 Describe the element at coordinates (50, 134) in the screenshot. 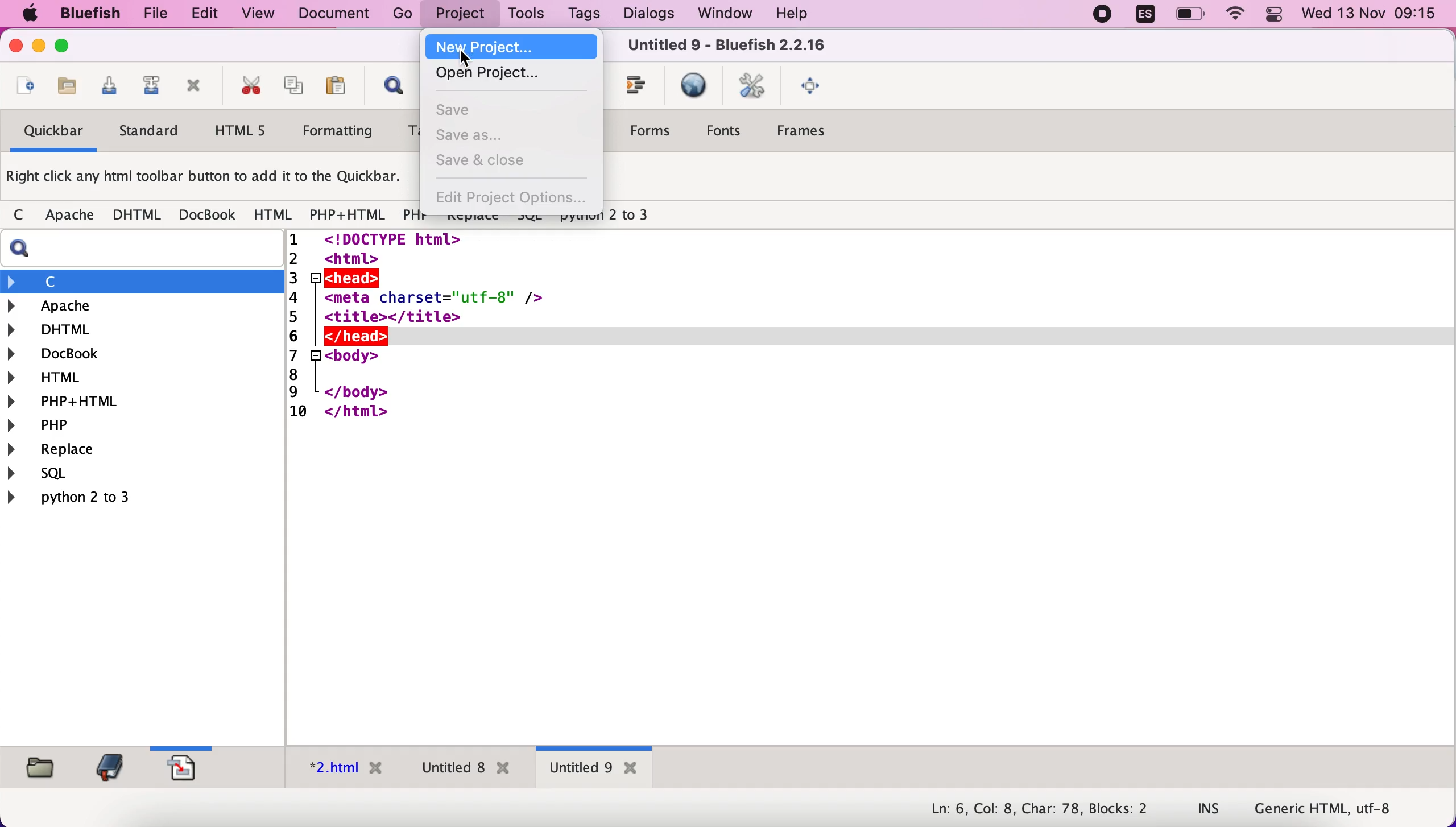

I see `quickbar` at that location.